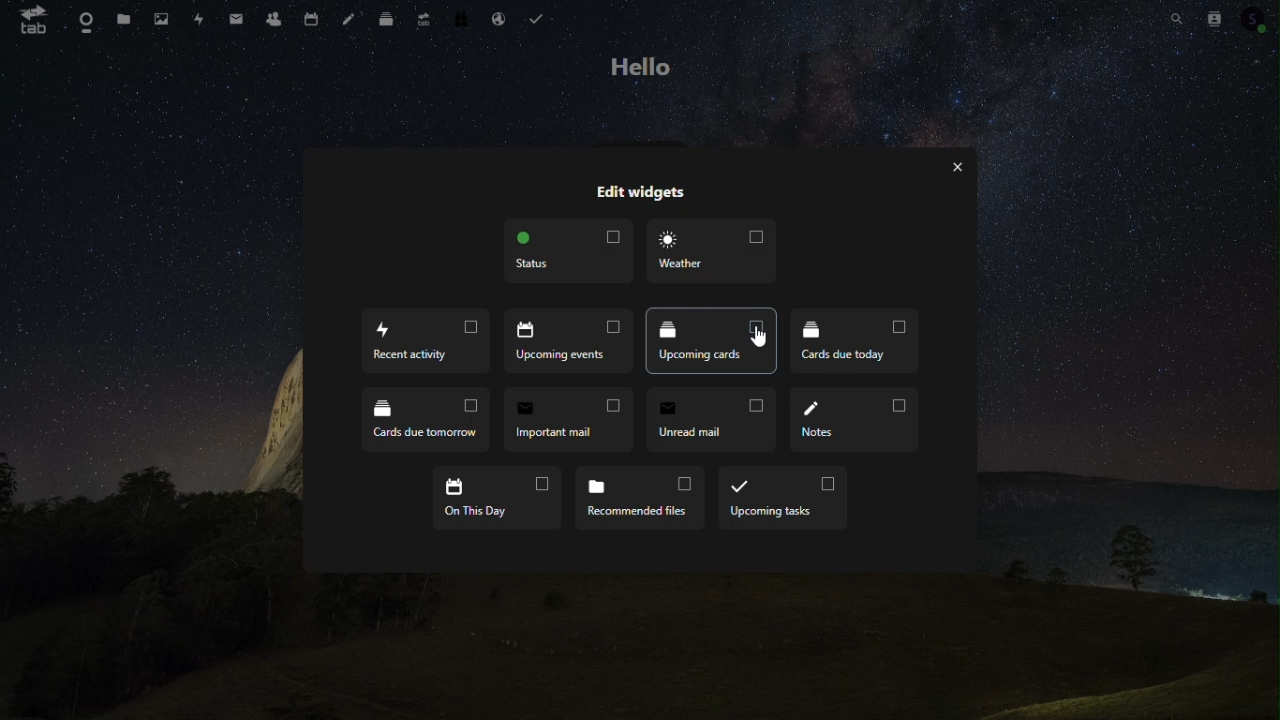 This screenshot has height=720, width=1280. What do you see at coordinates (425, 16) in the screenshot?
I see `Upgrade` at bounding box center [425, 16].